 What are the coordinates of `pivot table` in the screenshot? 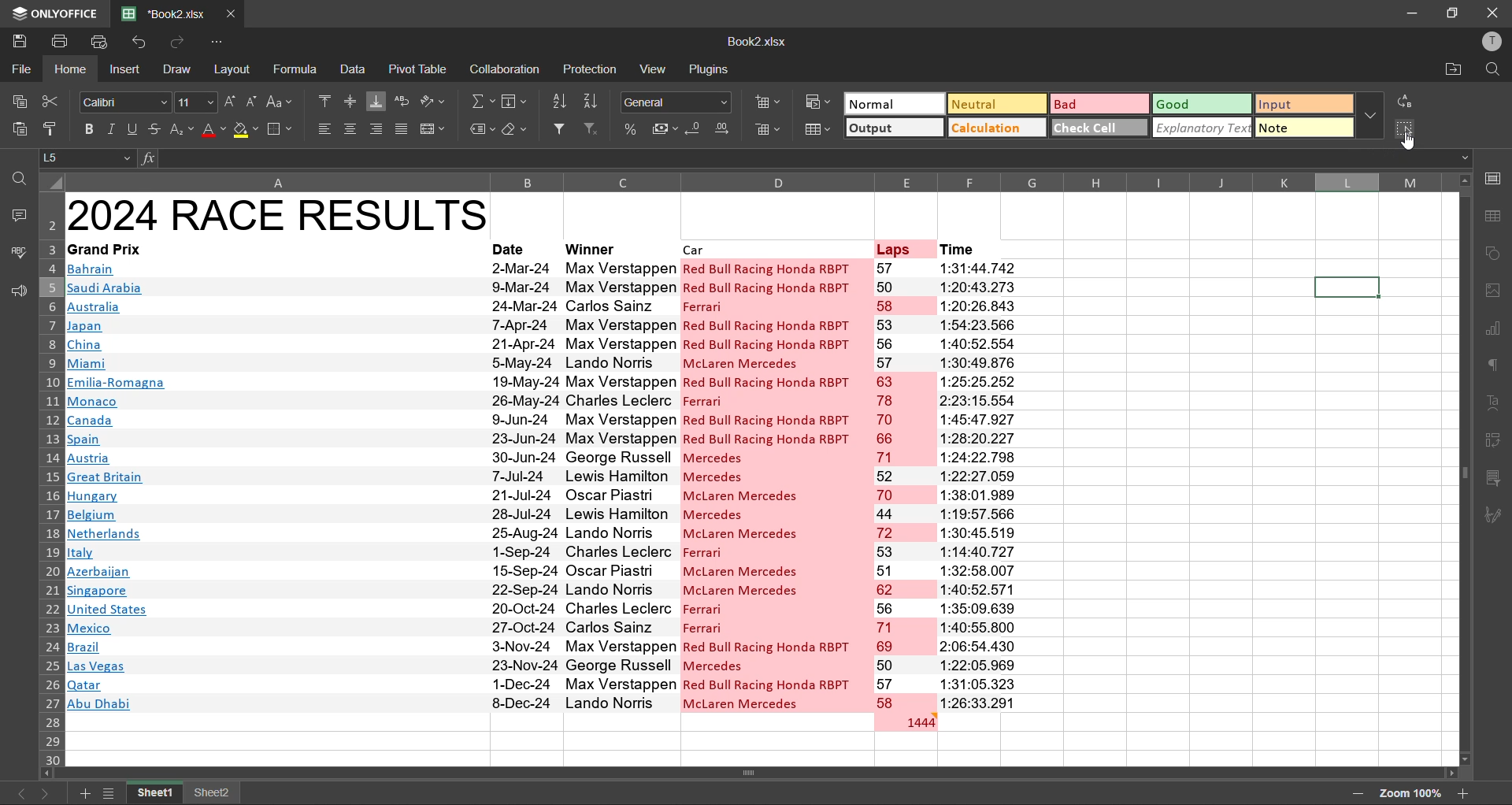 It's located at (420, 70).